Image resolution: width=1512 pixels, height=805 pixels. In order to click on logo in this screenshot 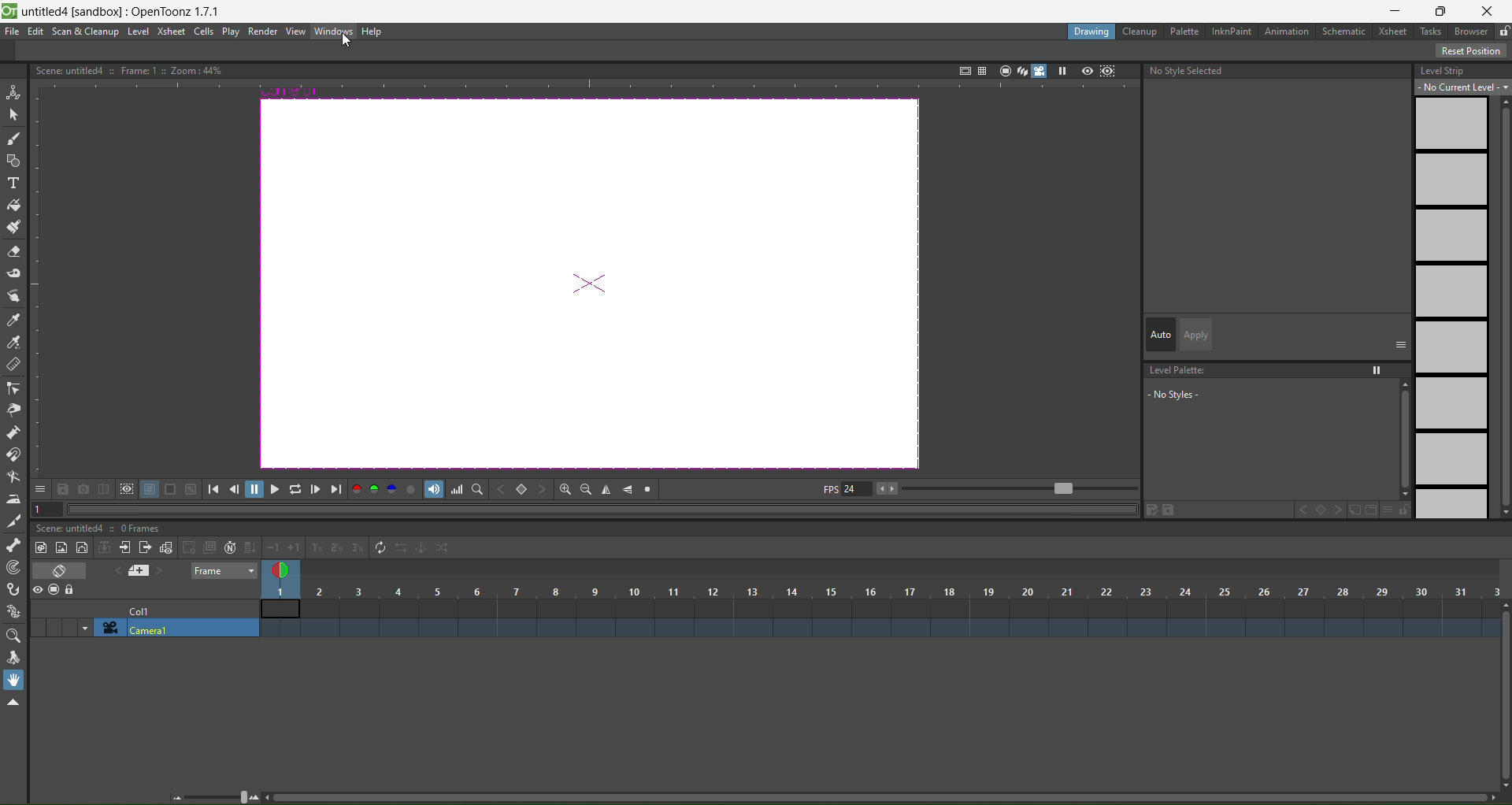, I will do `click(9, 9)`.